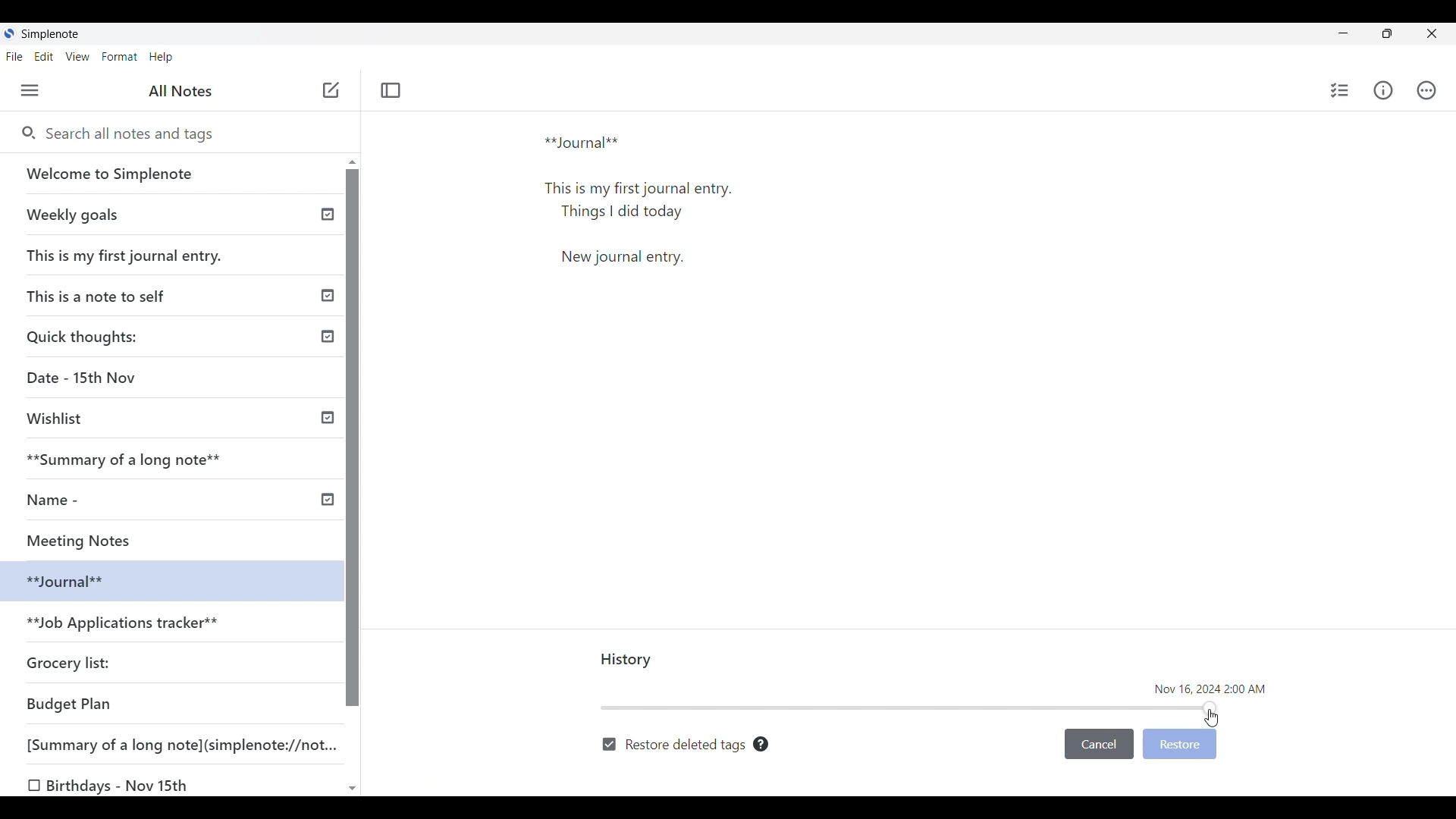 The height and width of the screenshot is (819, 1456). What do you see at coordinates (170, 214) in the screenshot?
I see `weekly goals` at bounding box center [170, 214].